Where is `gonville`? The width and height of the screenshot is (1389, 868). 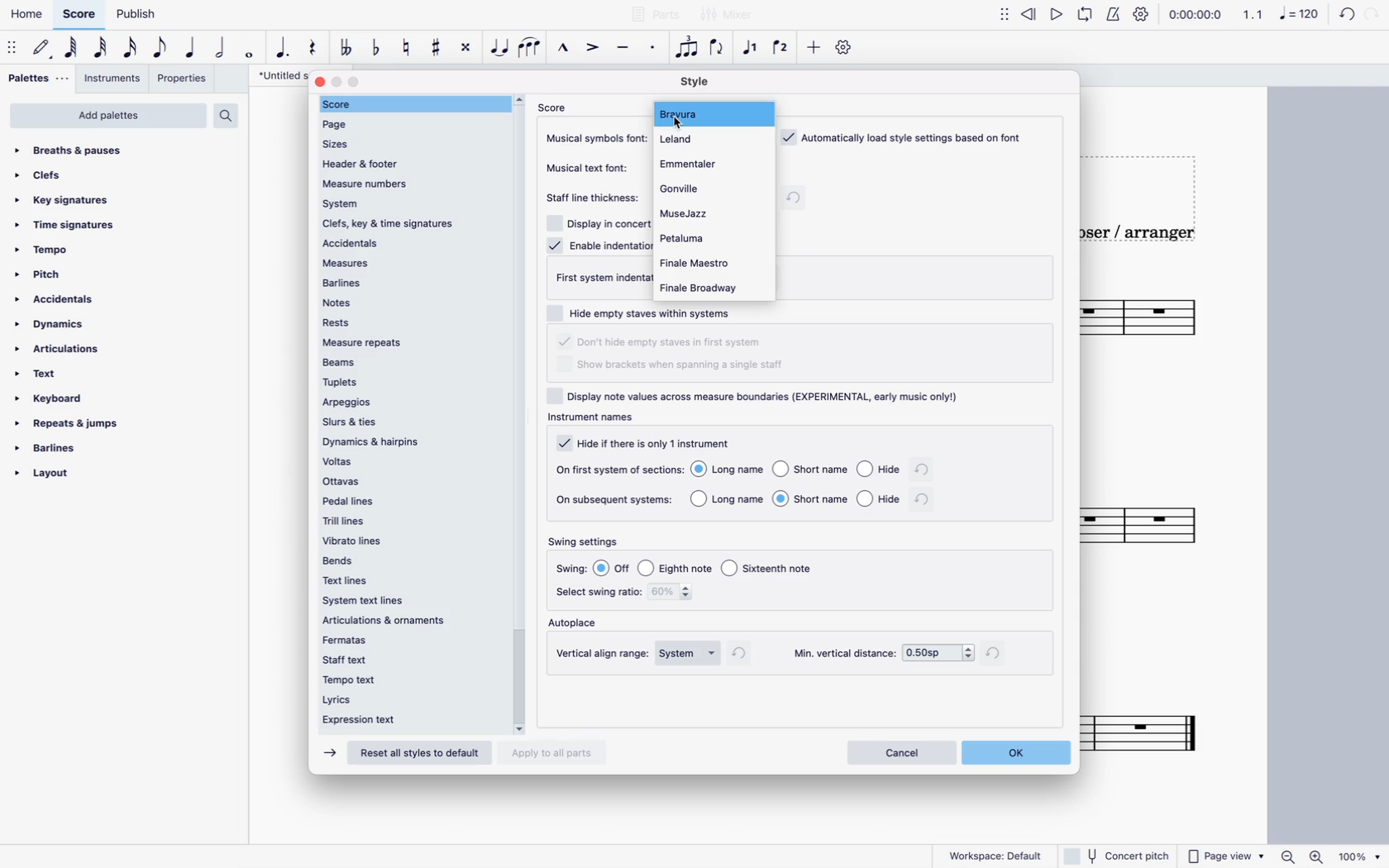 gonville is located at coordinates (711, 188).